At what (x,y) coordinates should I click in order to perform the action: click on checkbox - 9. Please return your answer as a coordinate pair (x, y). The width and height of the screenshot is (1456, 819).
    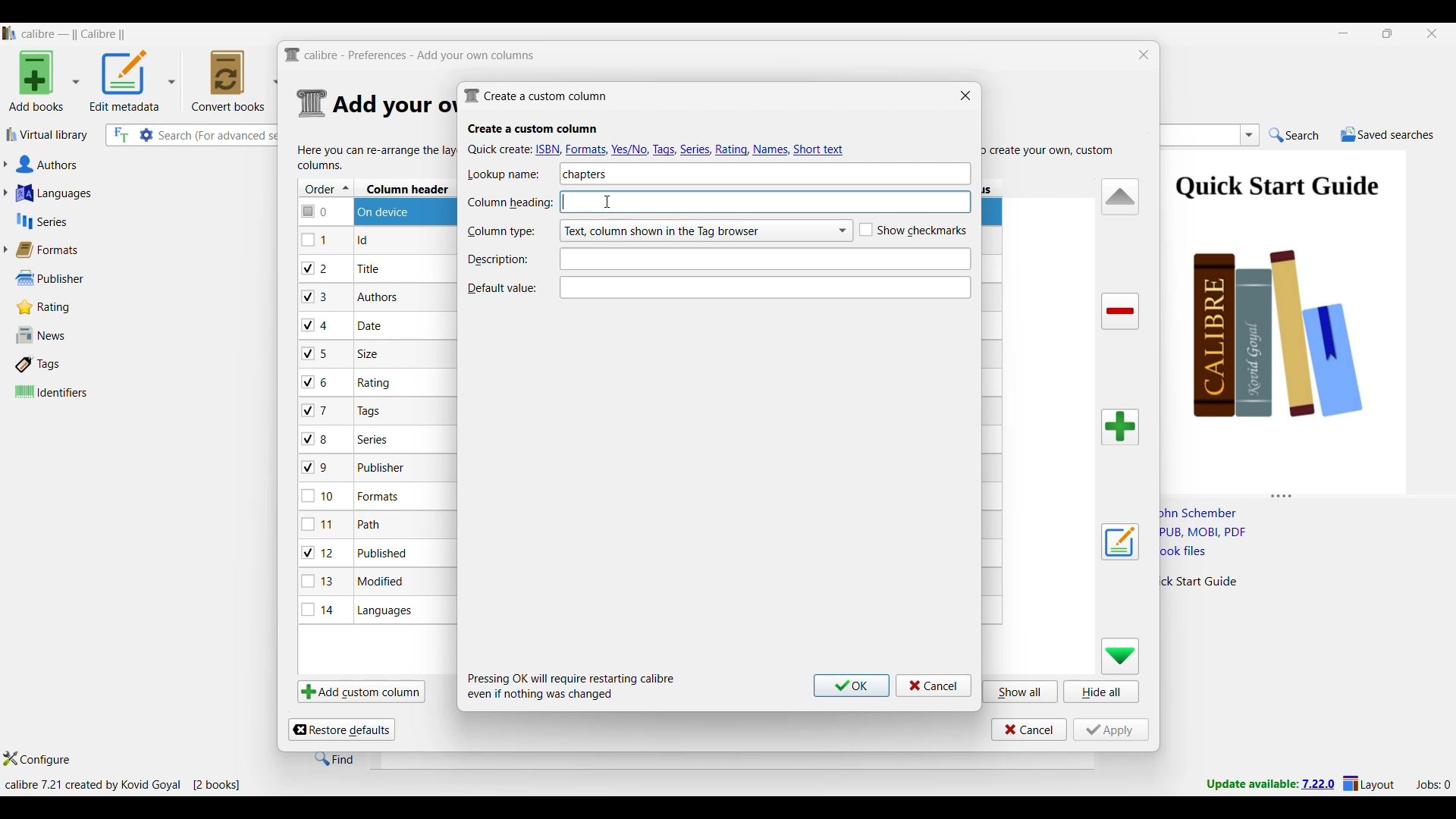
    Looking at the image, I should click on (315, 468).